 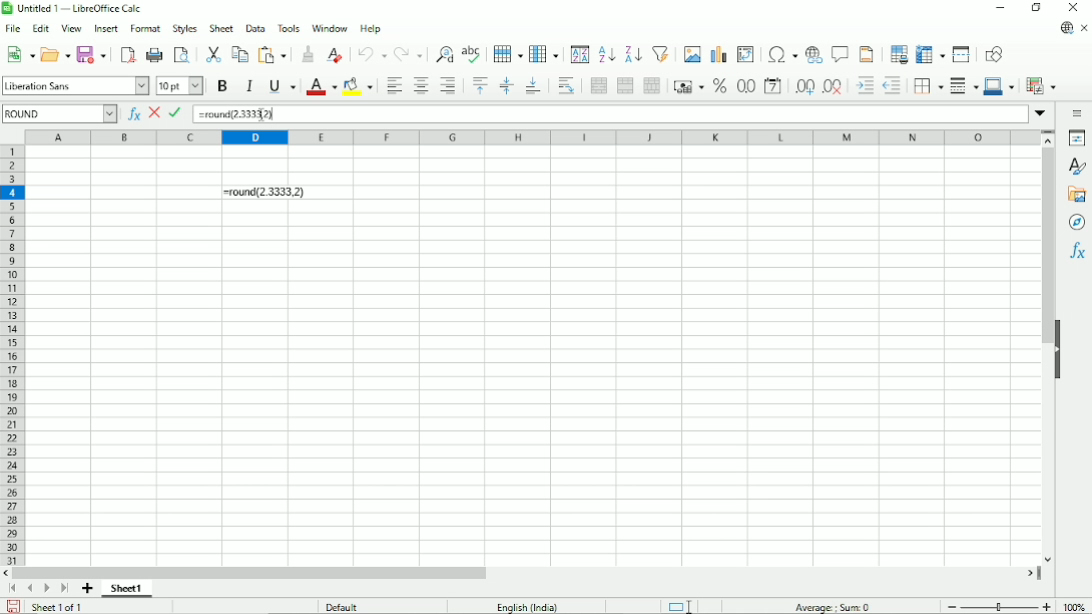 What do you see at coordinates (1001, 87) in the screenshot?
I see `Border color` at bounding box center [1001, 87].